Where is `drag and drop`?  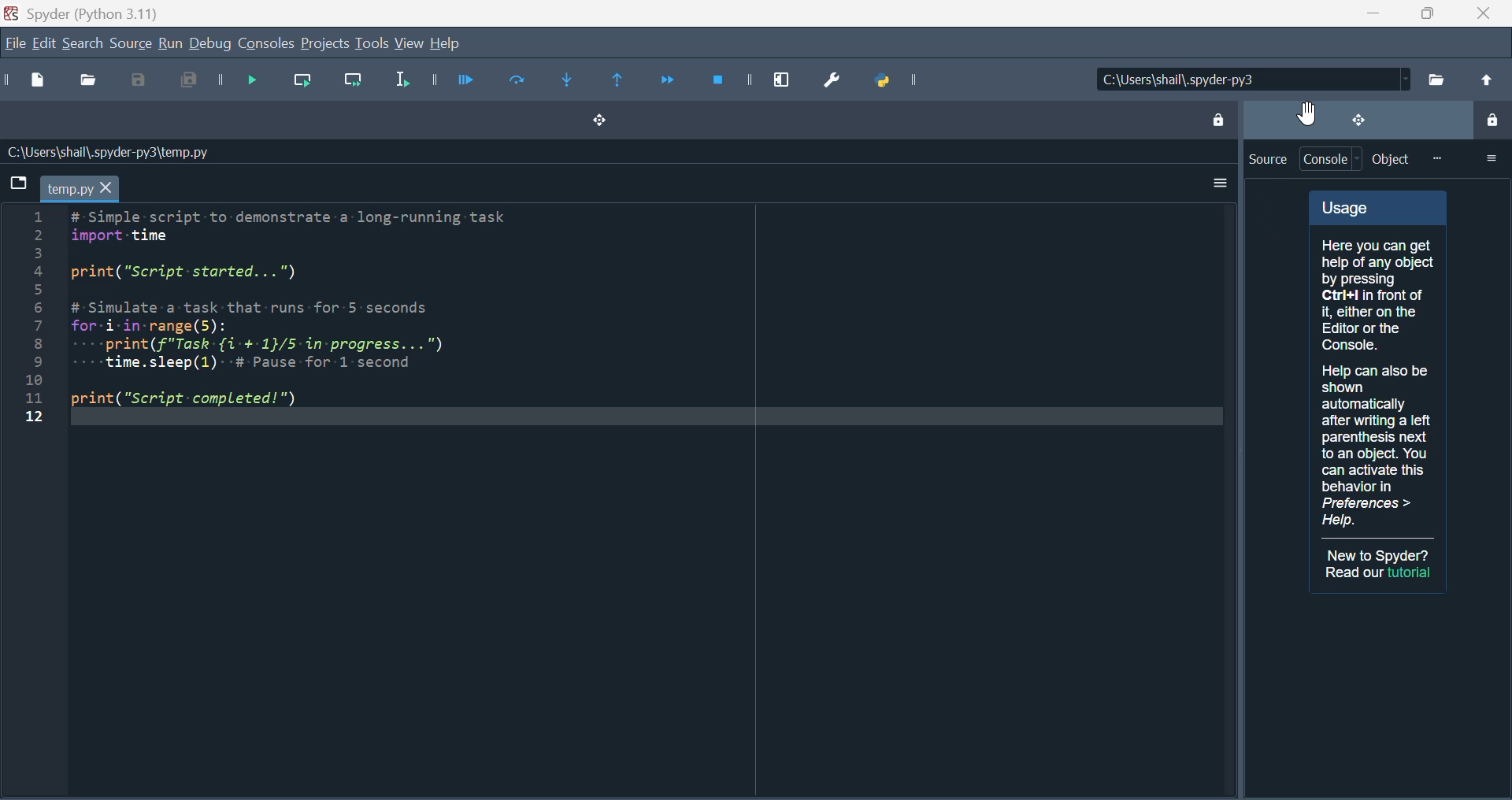
drag and drop is located at coordinates (1357, 119).